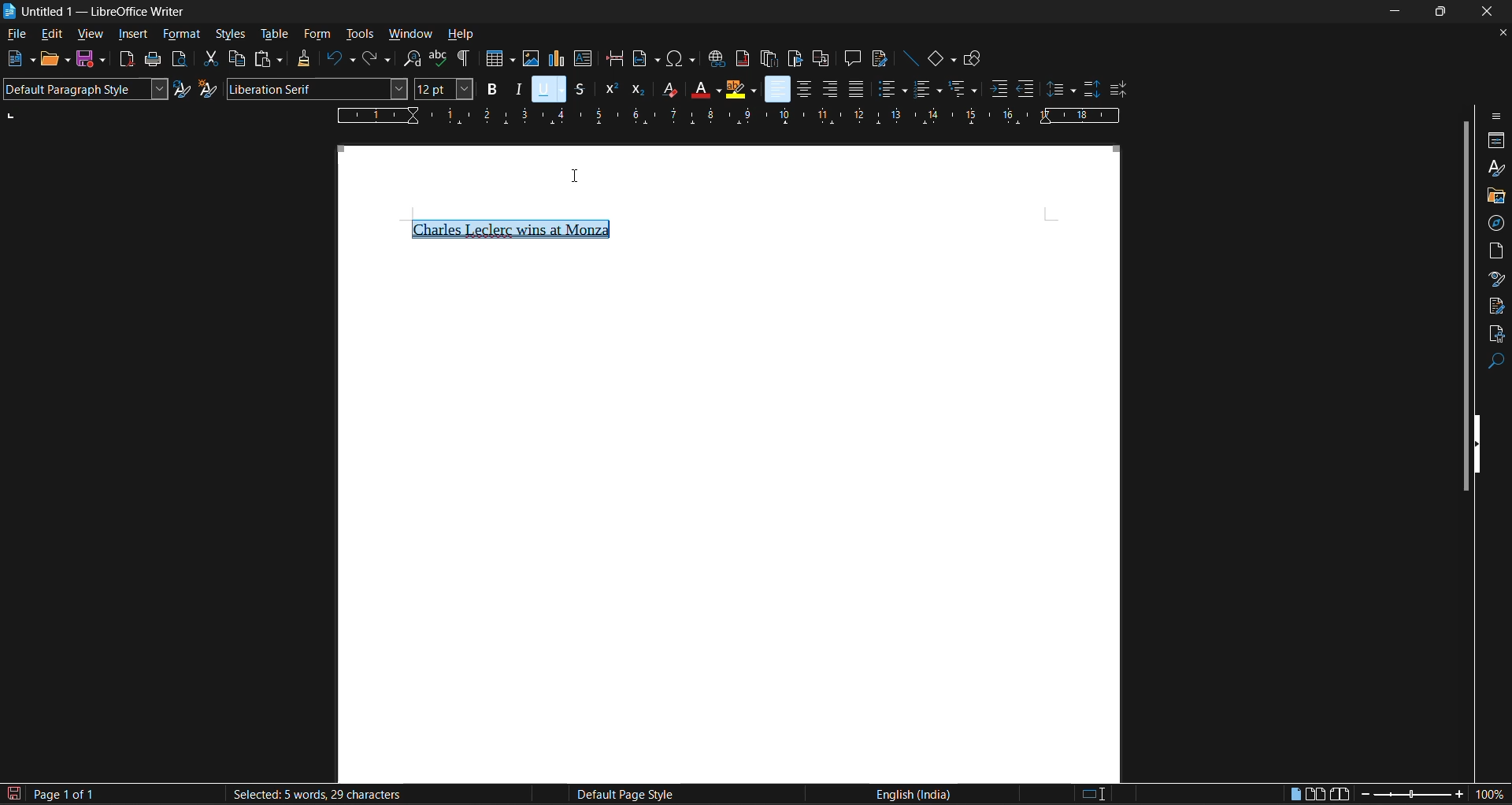  What do you see at coordinates (679, 58) in the screenshot?
I see `insert special characters` at bounding box center [679, 58].